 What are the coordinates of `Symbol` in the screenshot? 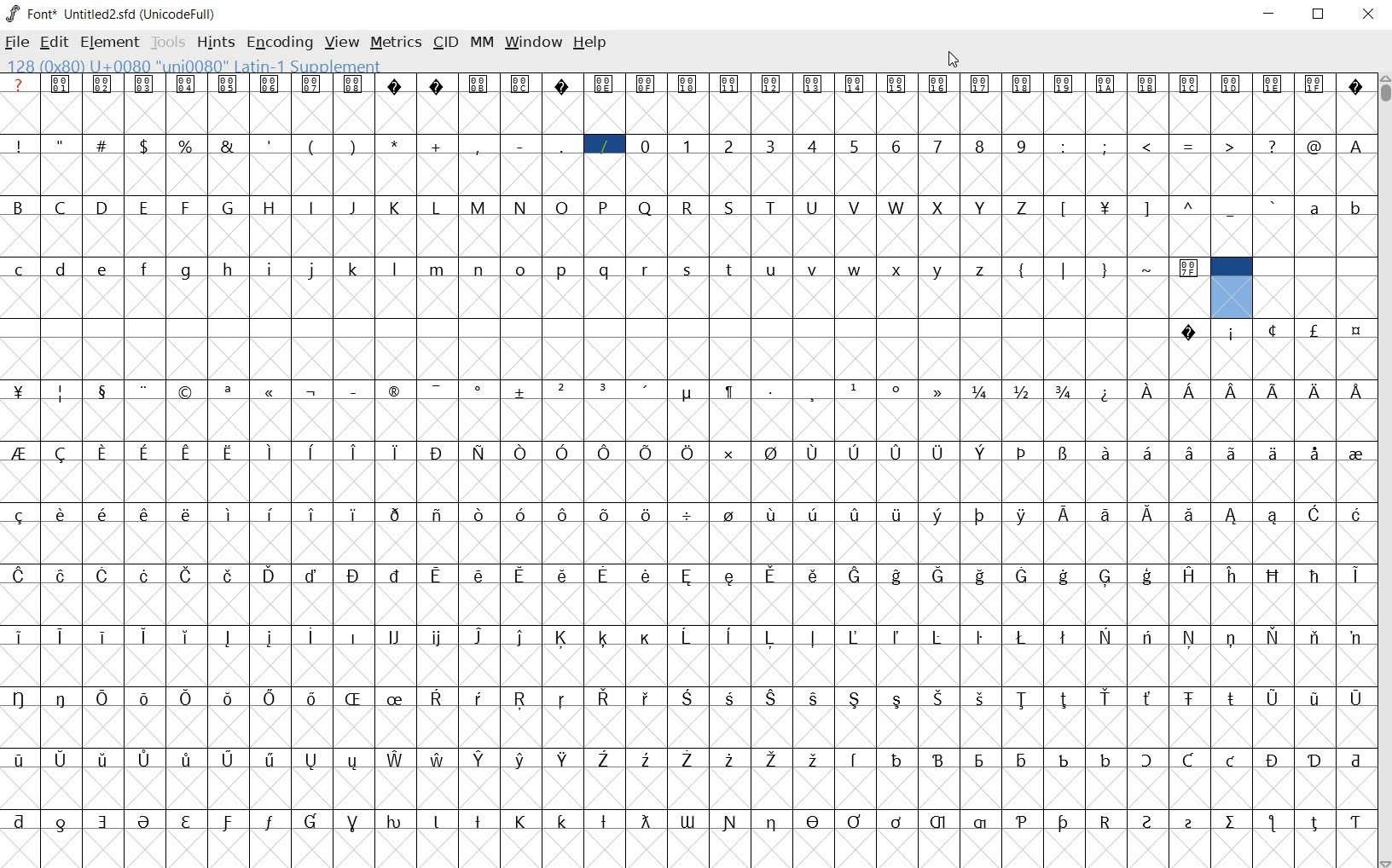 It's located at (815, 574).